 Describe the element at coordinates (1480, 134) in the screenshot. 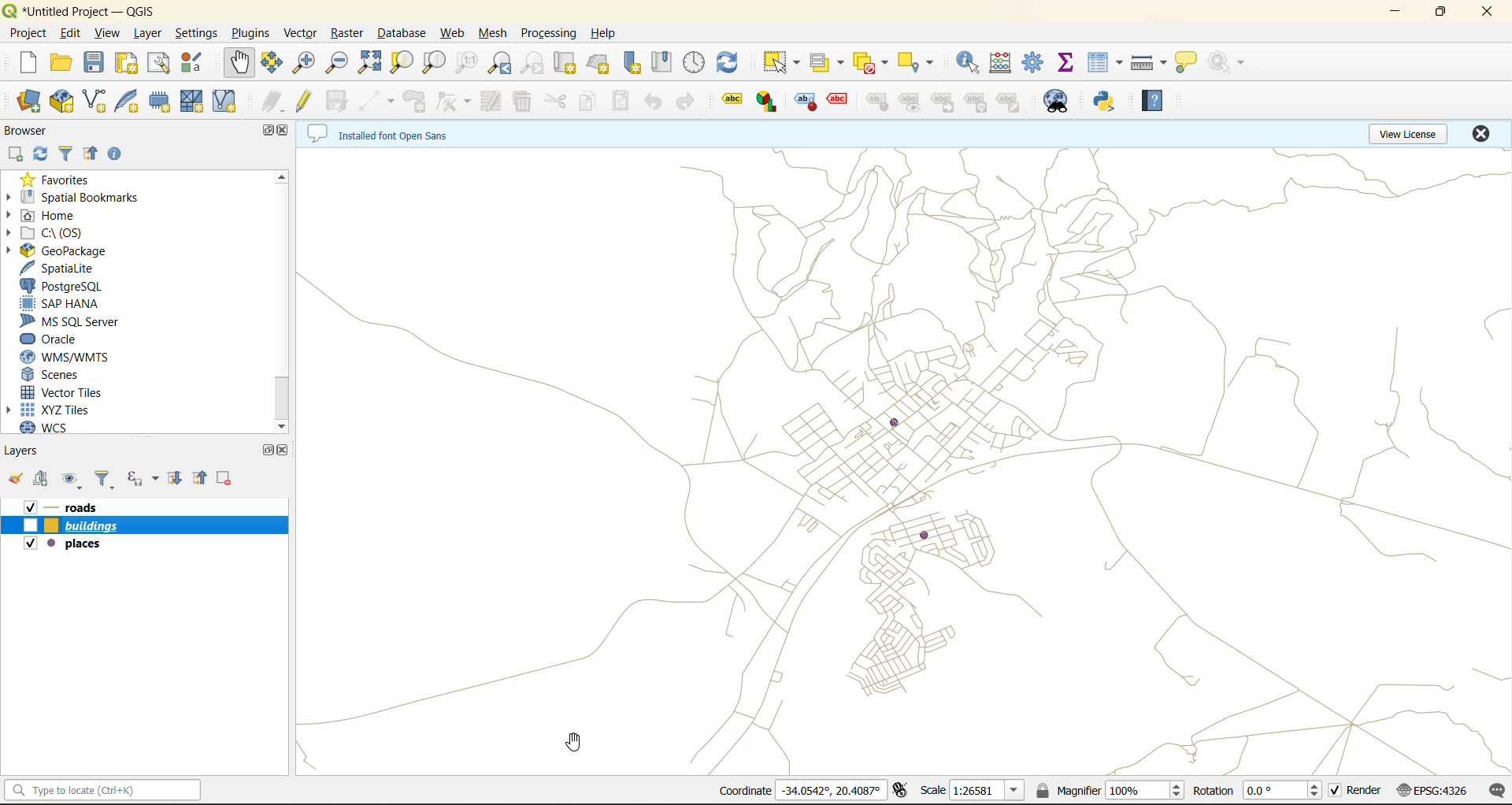

I see `close` at that location.